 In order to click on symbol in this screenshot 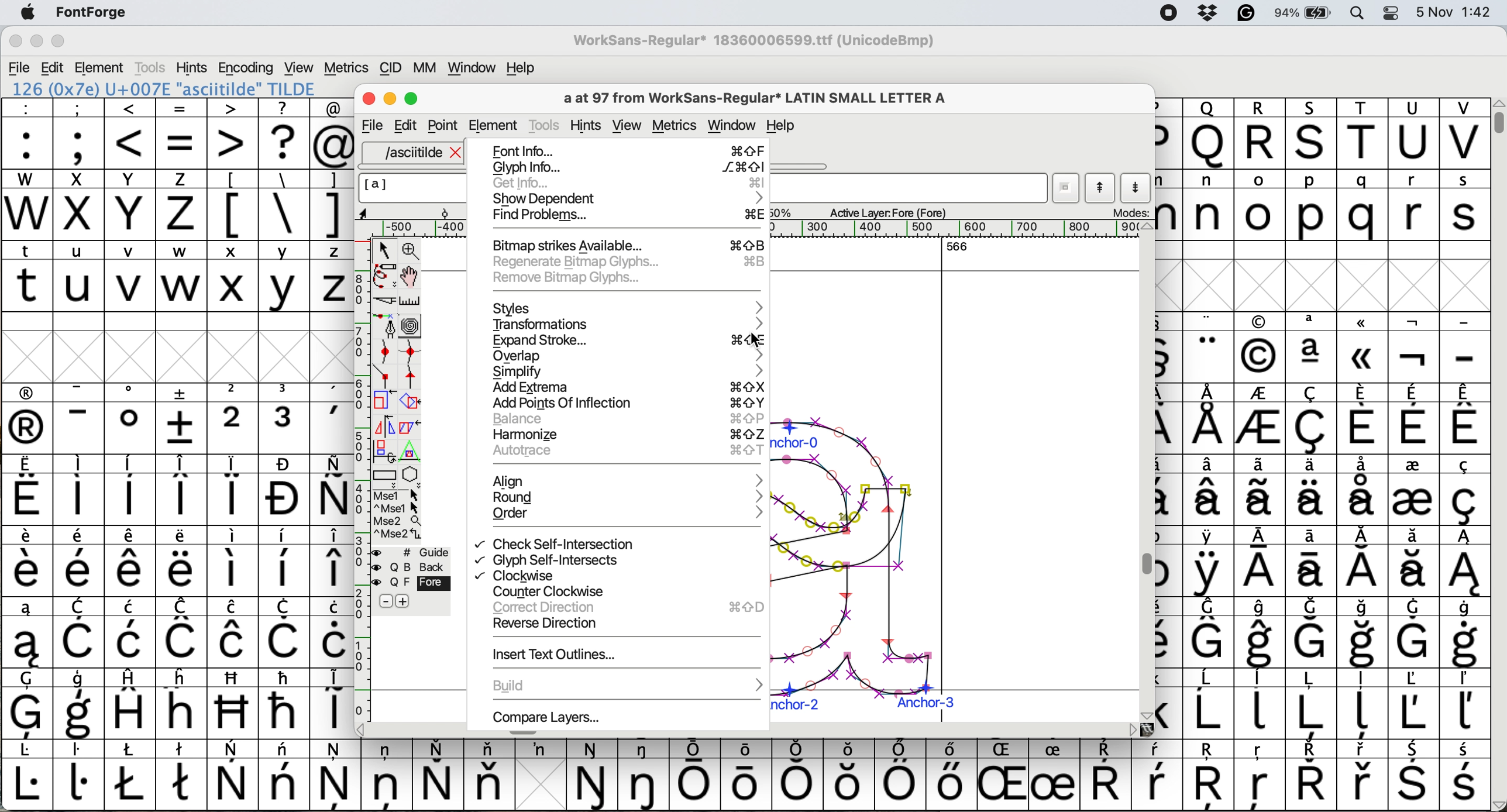, I will do `click(284, 562)`.